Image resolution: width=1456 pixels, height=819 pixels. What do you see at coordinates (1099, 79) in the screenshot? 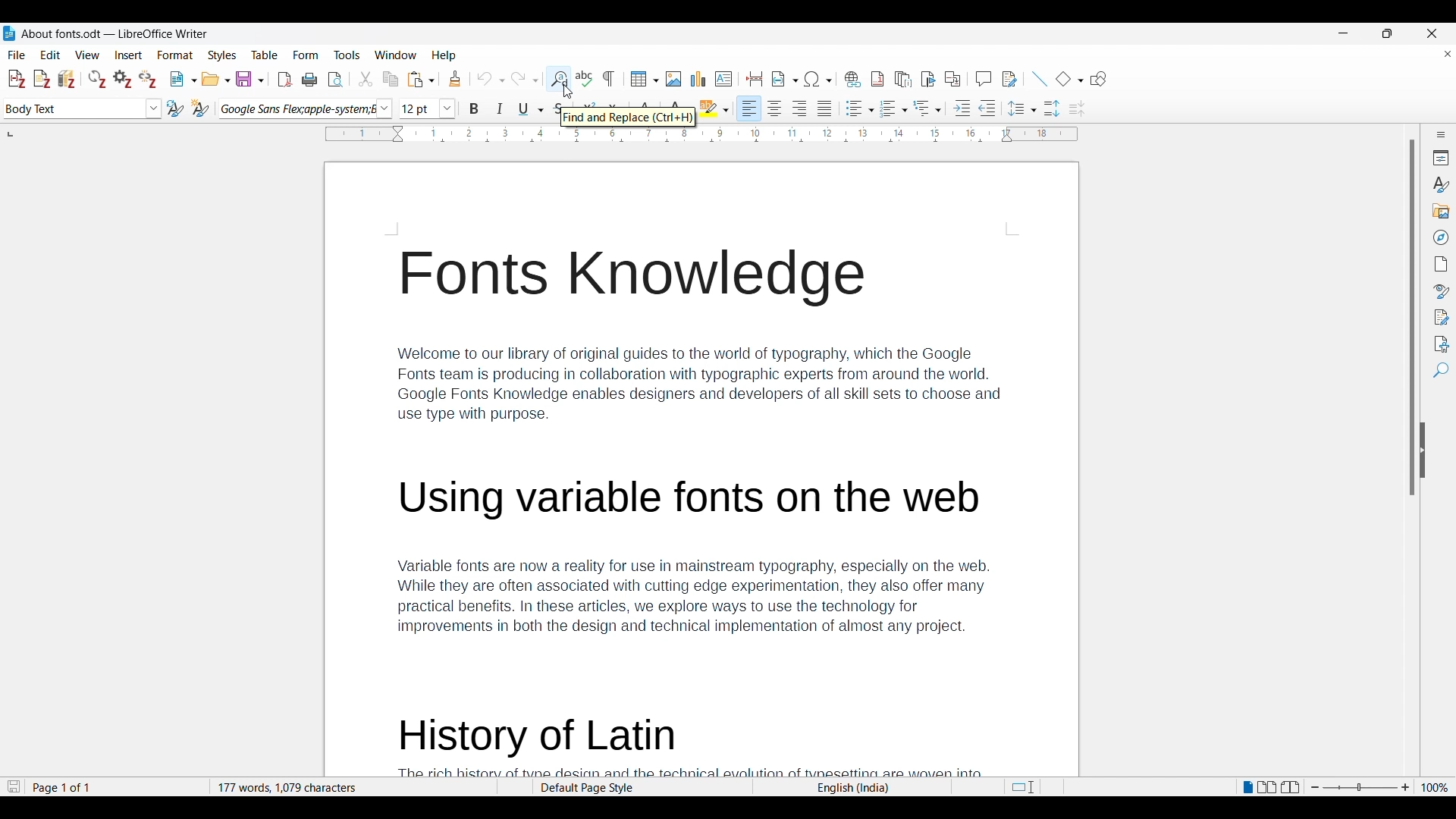
I see `Show draw functions` at bounding box center [1099, 79].